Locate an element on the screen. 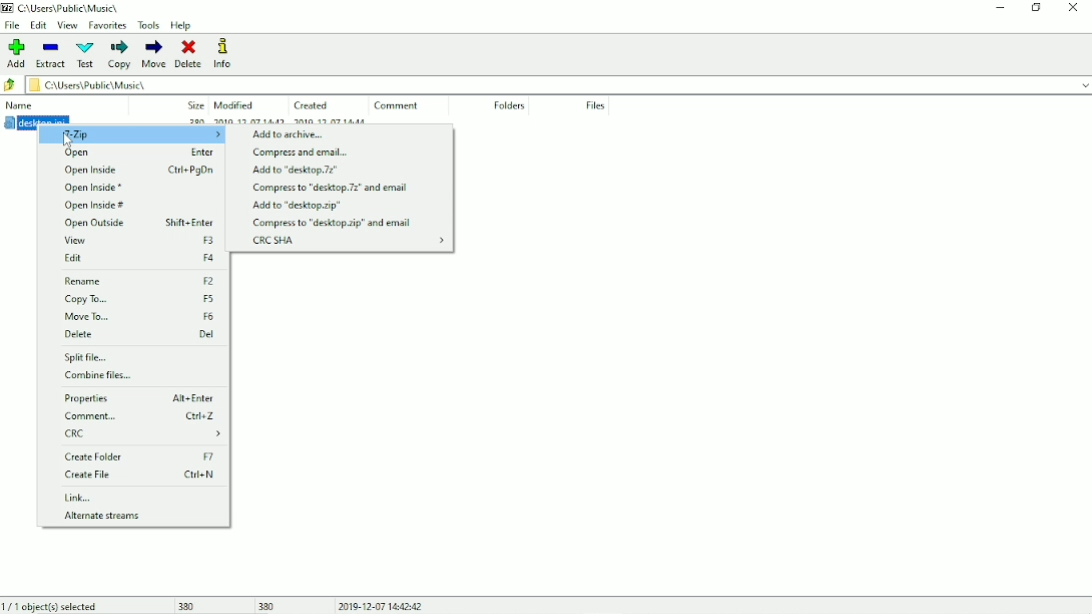  Size is located at coordinates (191, 103).